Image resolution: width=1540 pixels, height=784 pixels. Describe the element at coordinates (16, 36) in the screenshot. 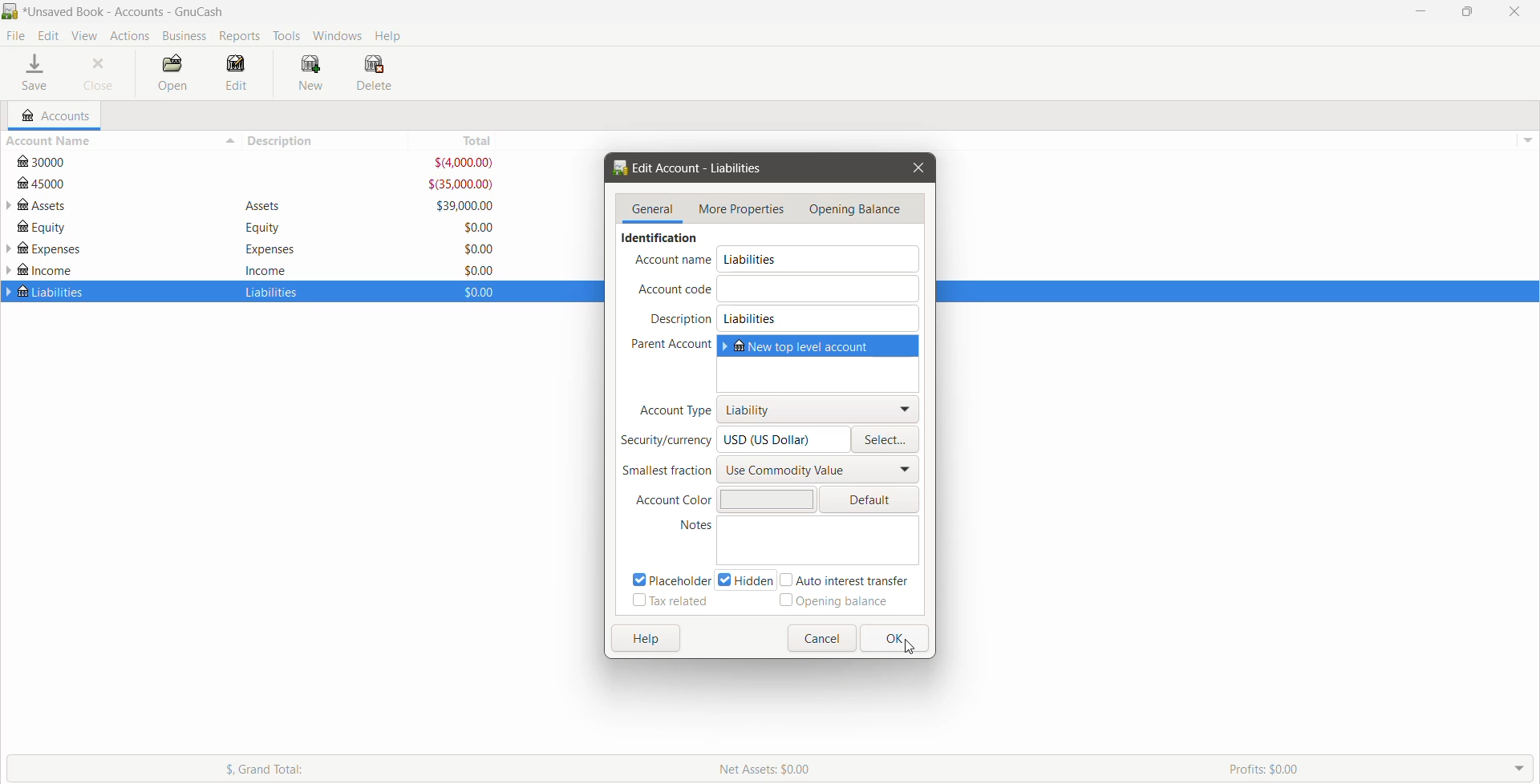

I see `File` at that location.